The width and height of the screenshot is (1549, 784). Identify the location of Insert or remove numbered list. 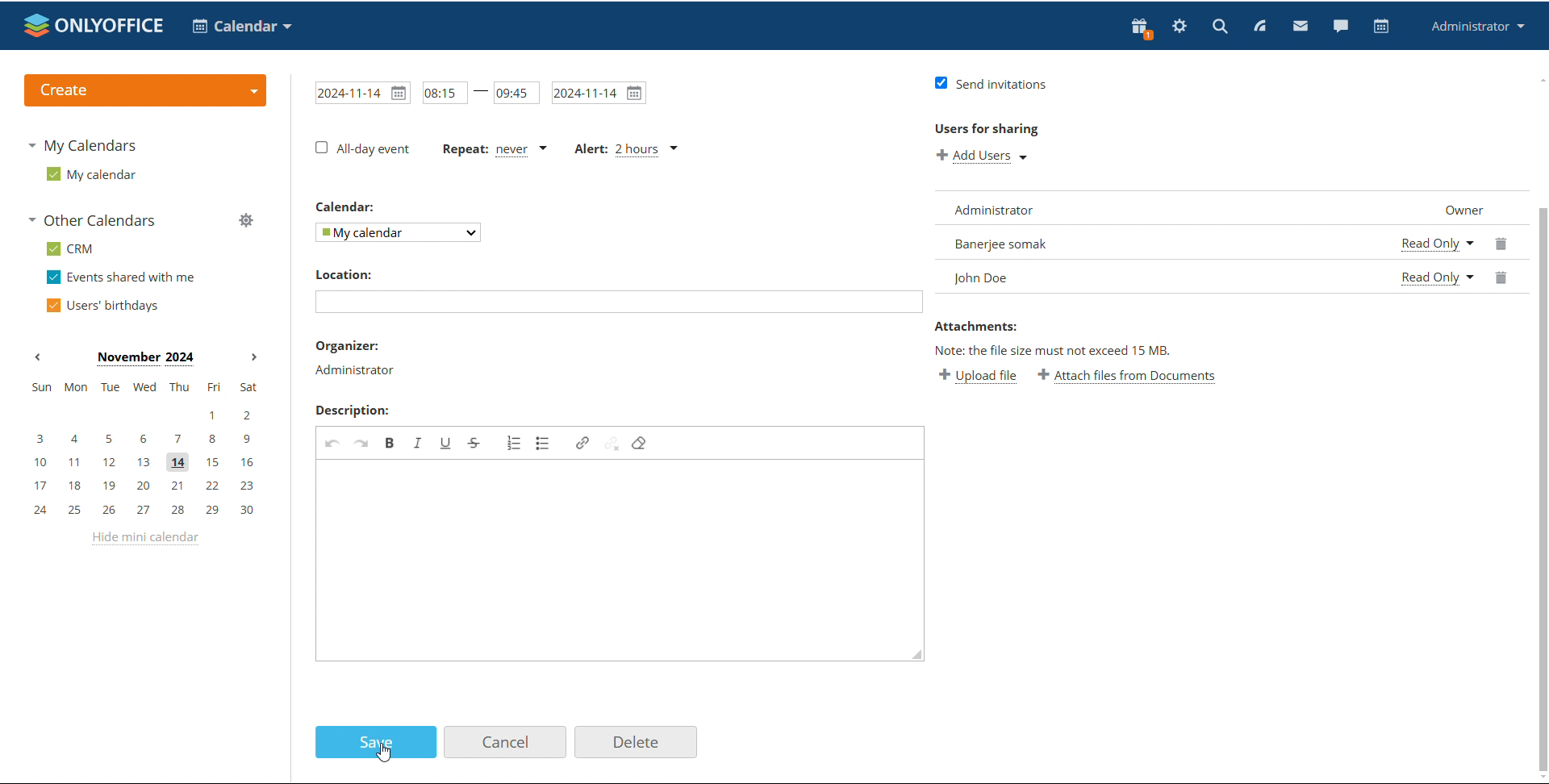
(512, 443).